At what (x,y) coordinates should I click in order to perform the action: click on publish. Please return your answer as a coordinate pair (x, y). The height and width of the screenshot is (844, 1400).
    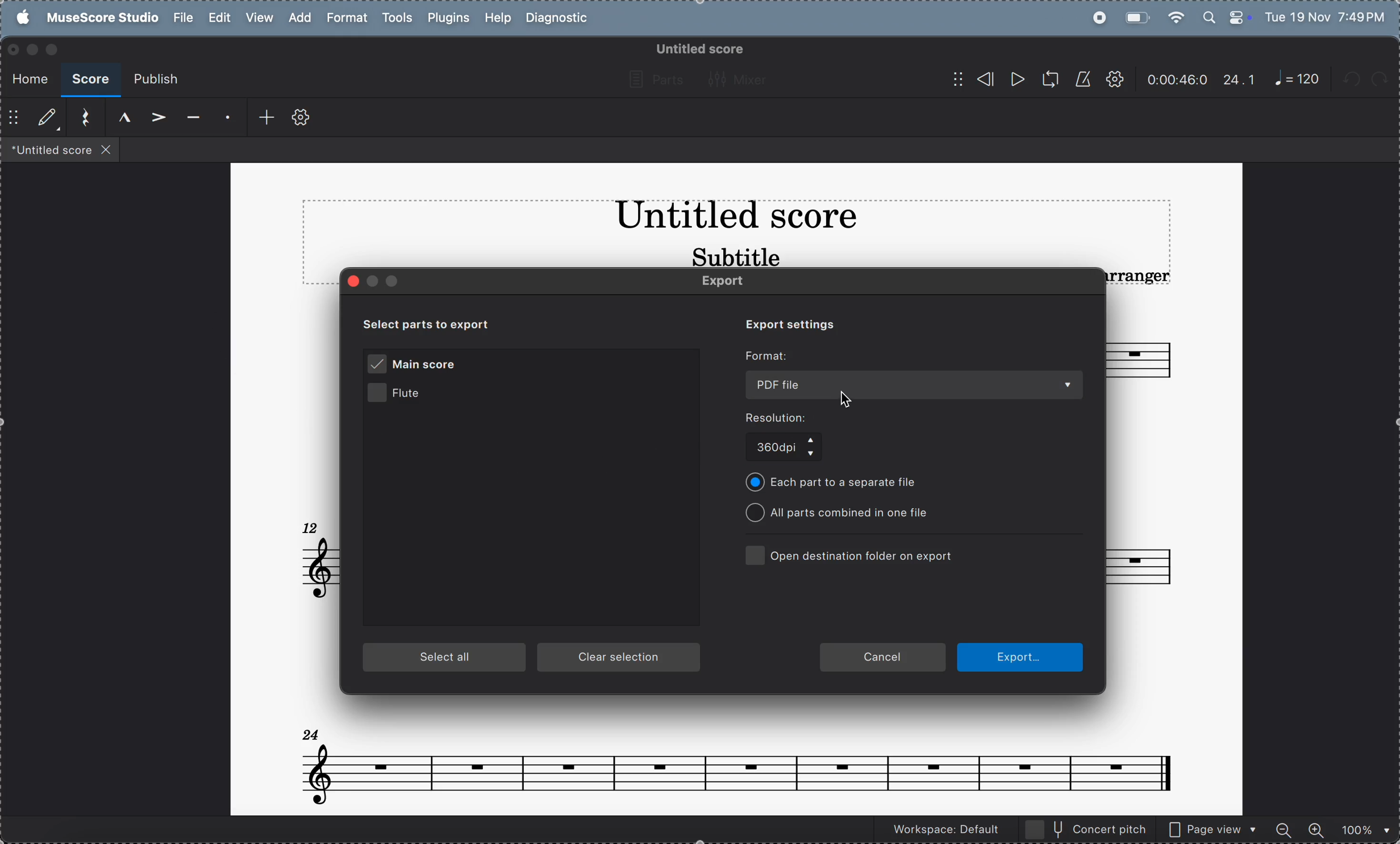
    Looking at the image, I should click on (155, 80).